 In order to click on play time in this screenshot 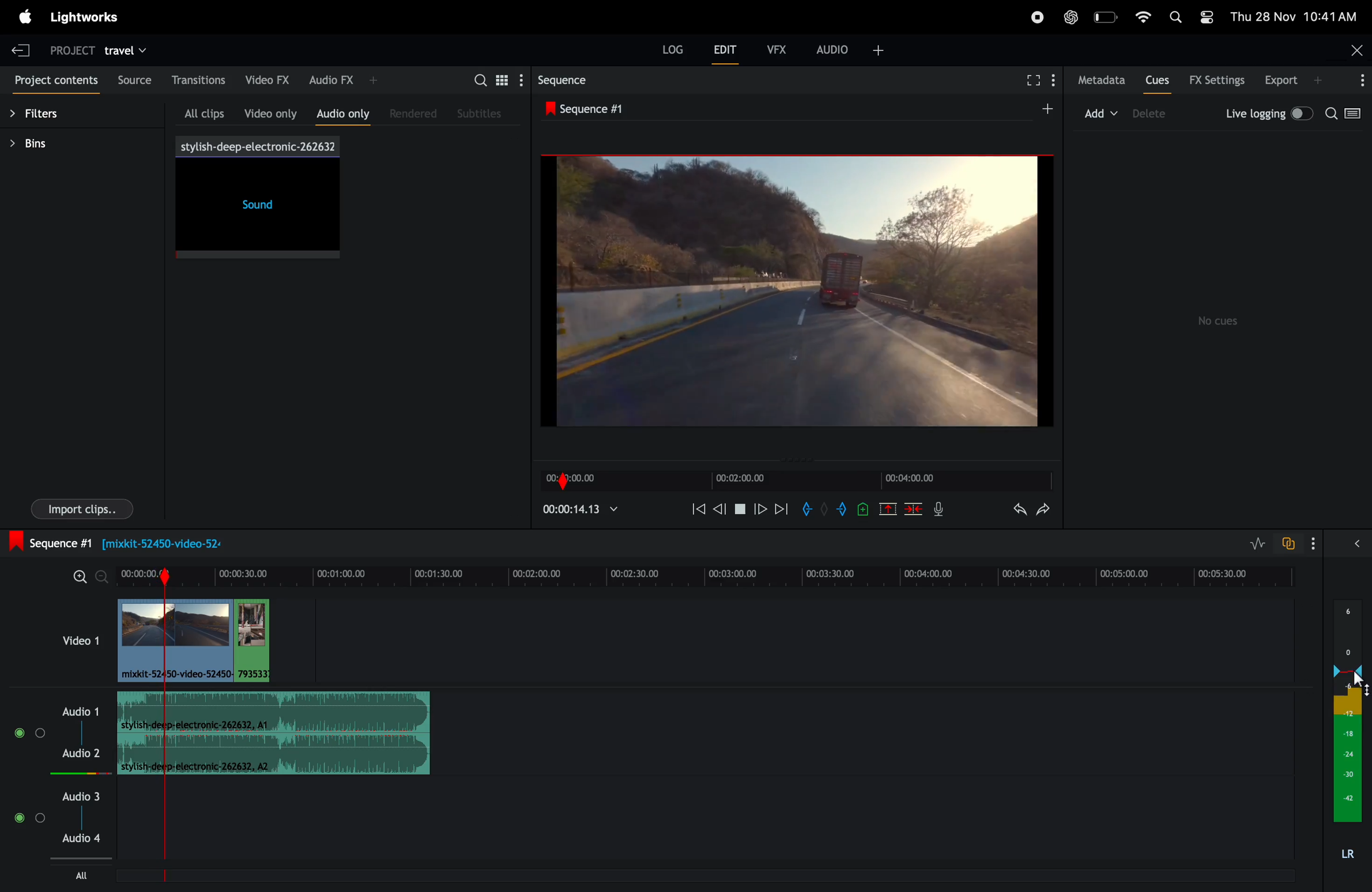, I will do `click(584, 512)`.